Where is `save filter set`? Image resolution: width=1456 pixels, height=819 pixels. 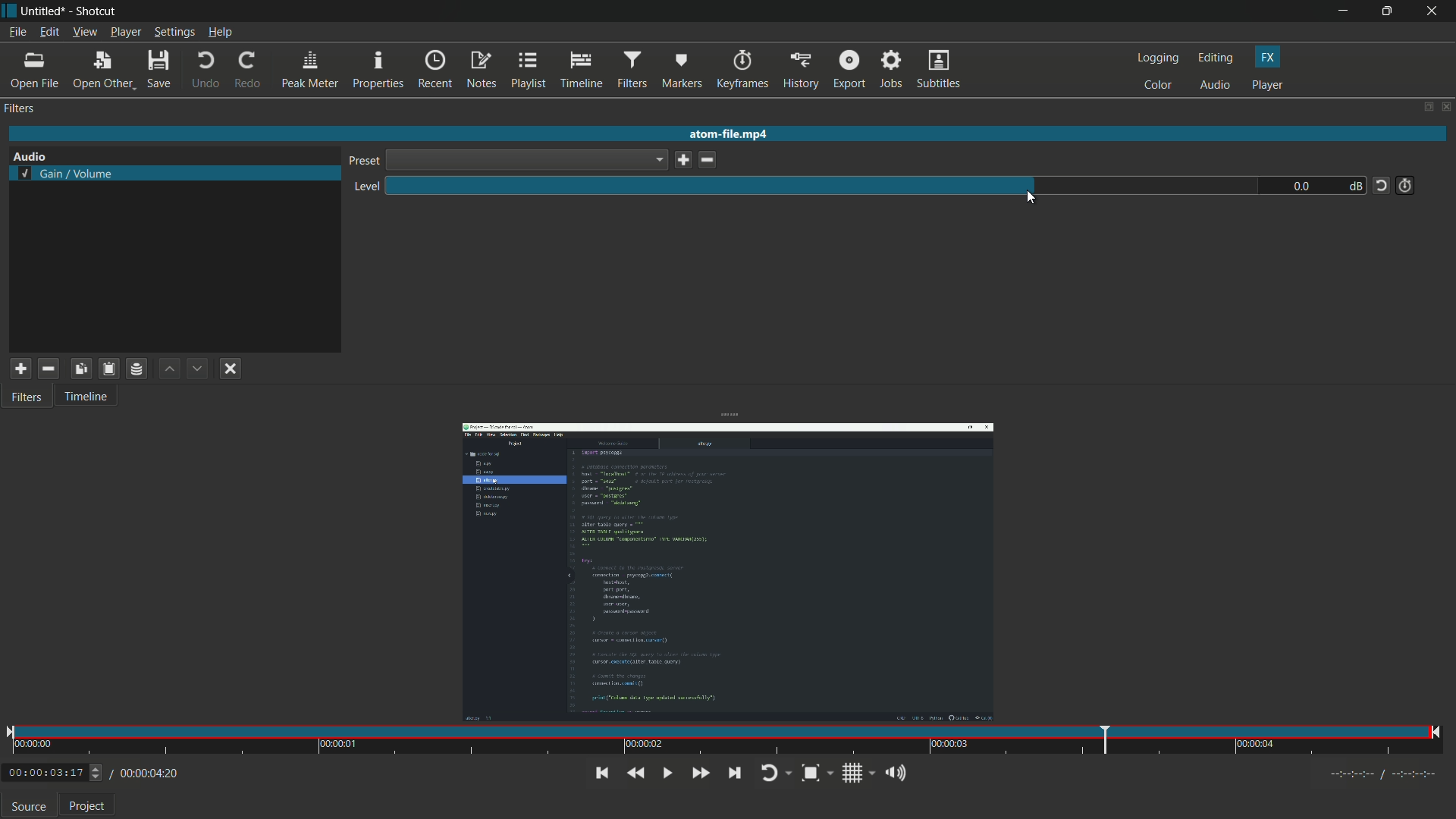
save filter set is located at coordinates (138, 368).